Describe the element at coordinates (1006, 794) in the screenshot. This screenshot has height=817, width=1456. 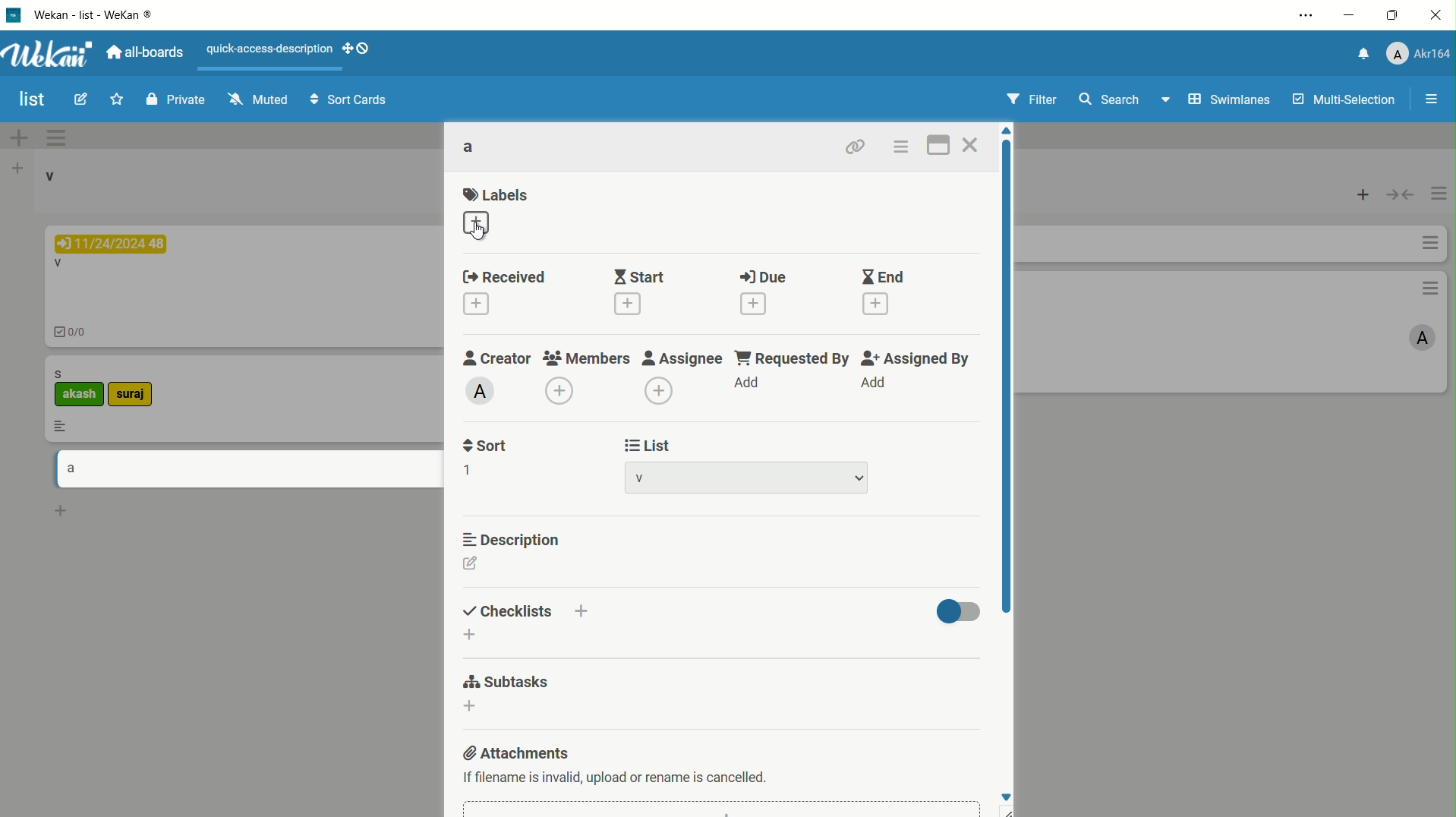
I see `move down` at that location.